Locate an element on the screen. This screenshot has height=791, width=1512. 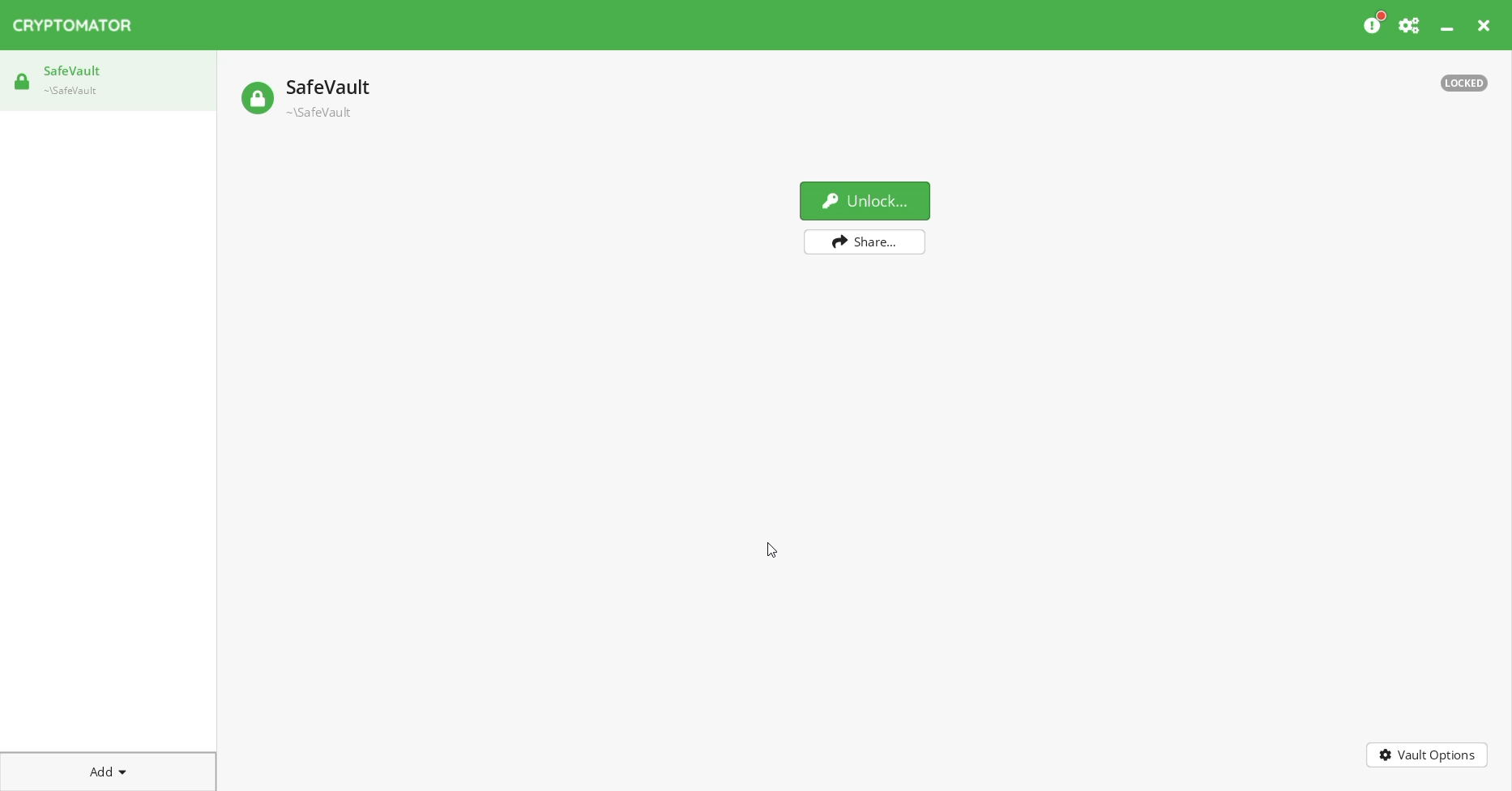
Vault status is located at coordinates (1465, 83).